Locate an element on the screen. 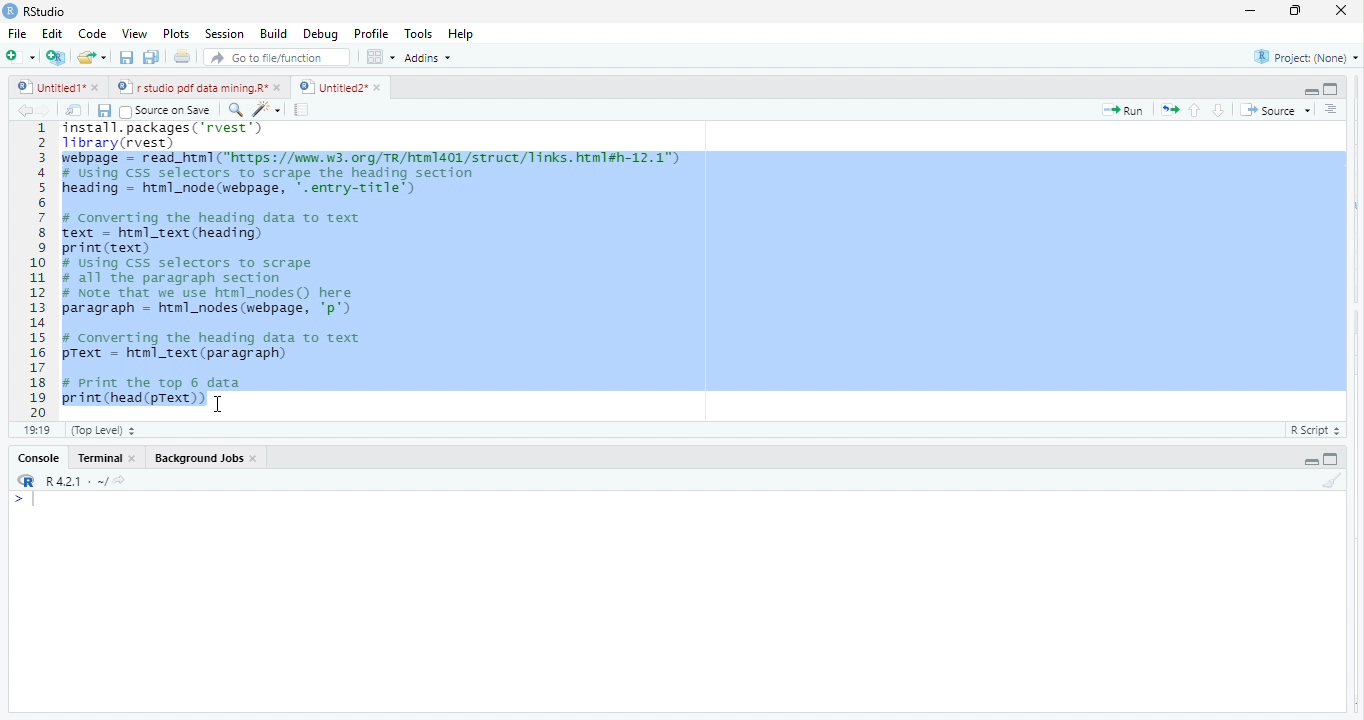 The height and width of the screenshot is (720, 1364). clear console is located at coordinates (1340, 478).